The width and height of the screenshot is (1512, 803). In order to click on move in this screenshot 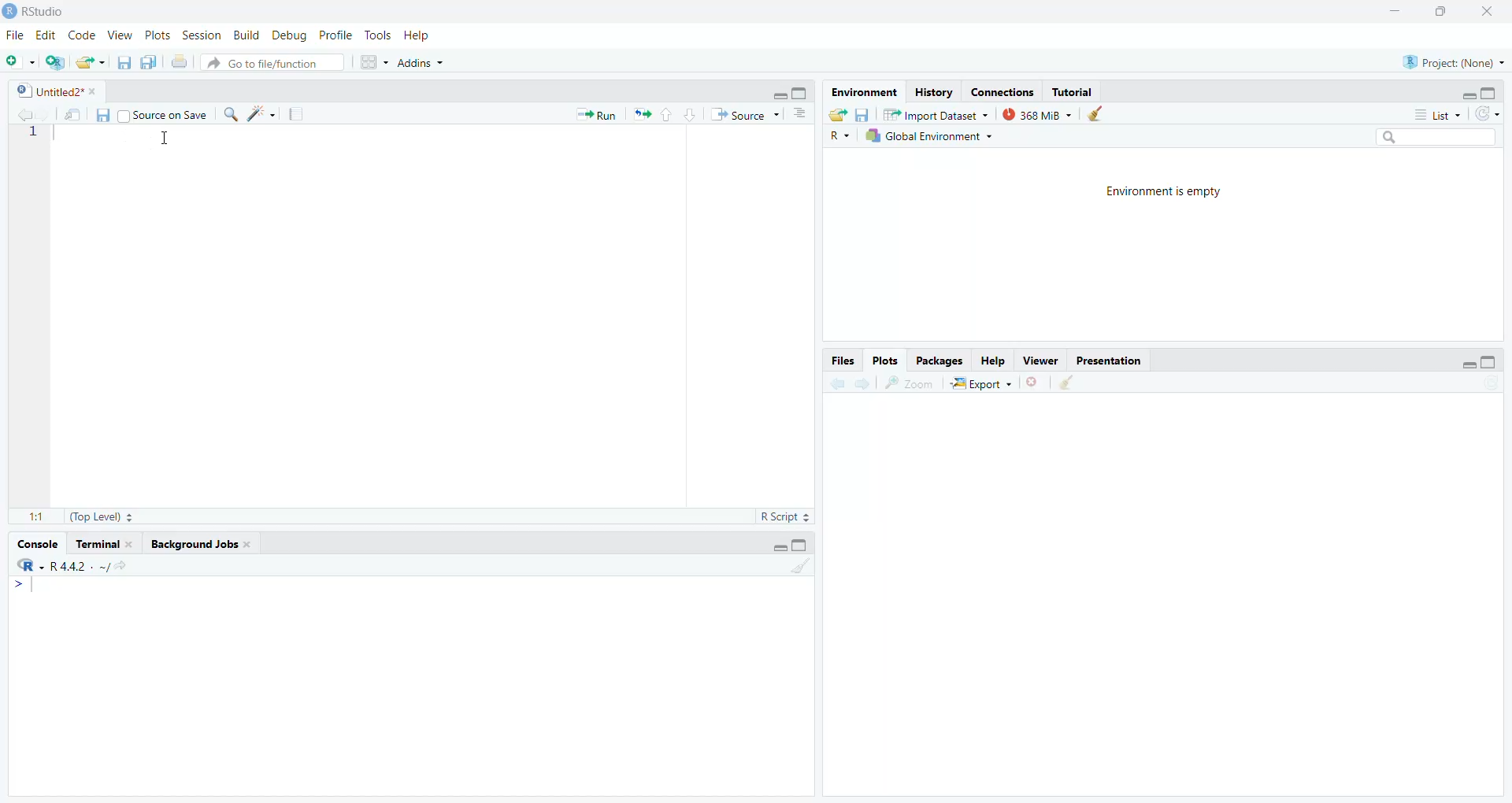, I will do `click(74, 117)`.